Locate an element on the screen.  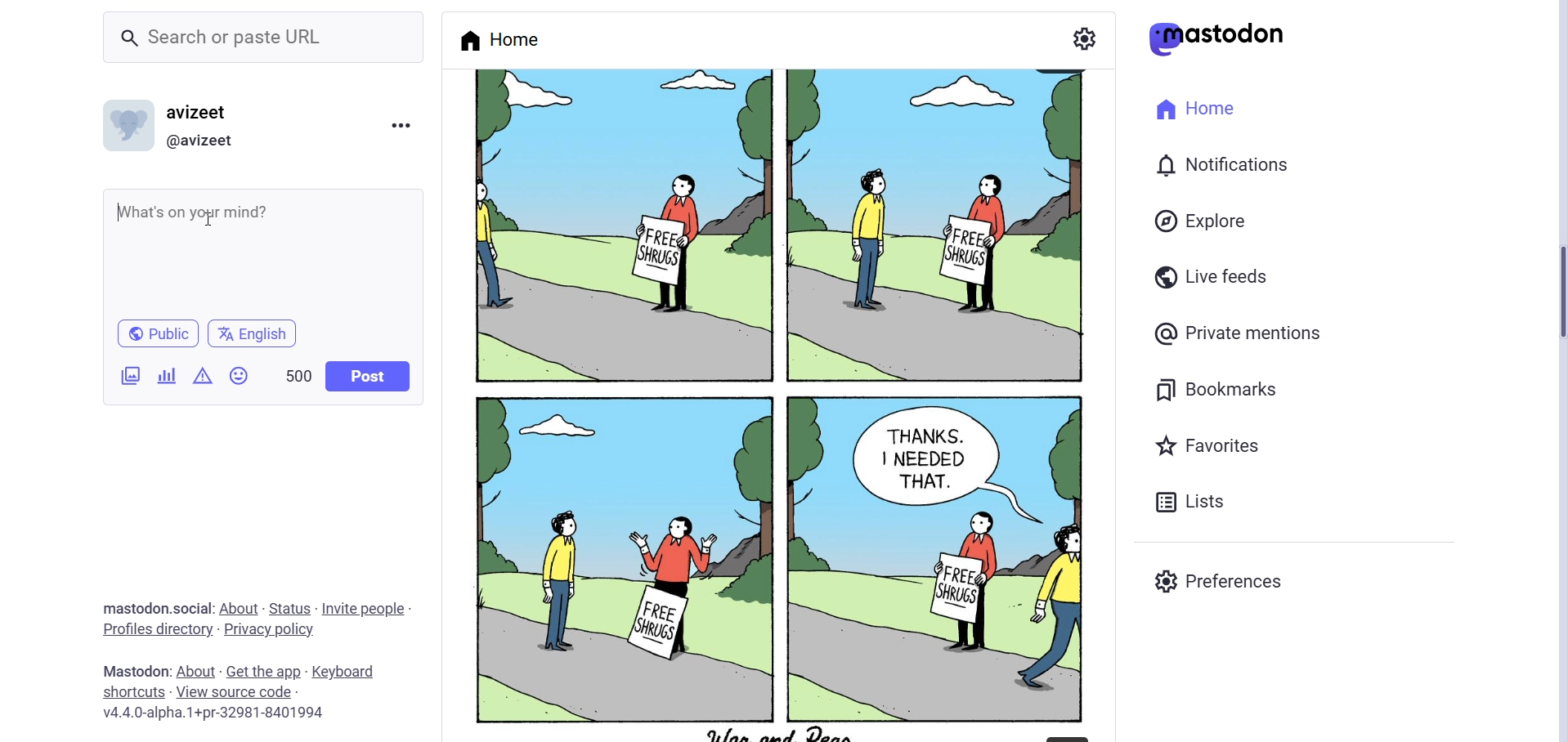
Home is located at coordinates (500, 38).